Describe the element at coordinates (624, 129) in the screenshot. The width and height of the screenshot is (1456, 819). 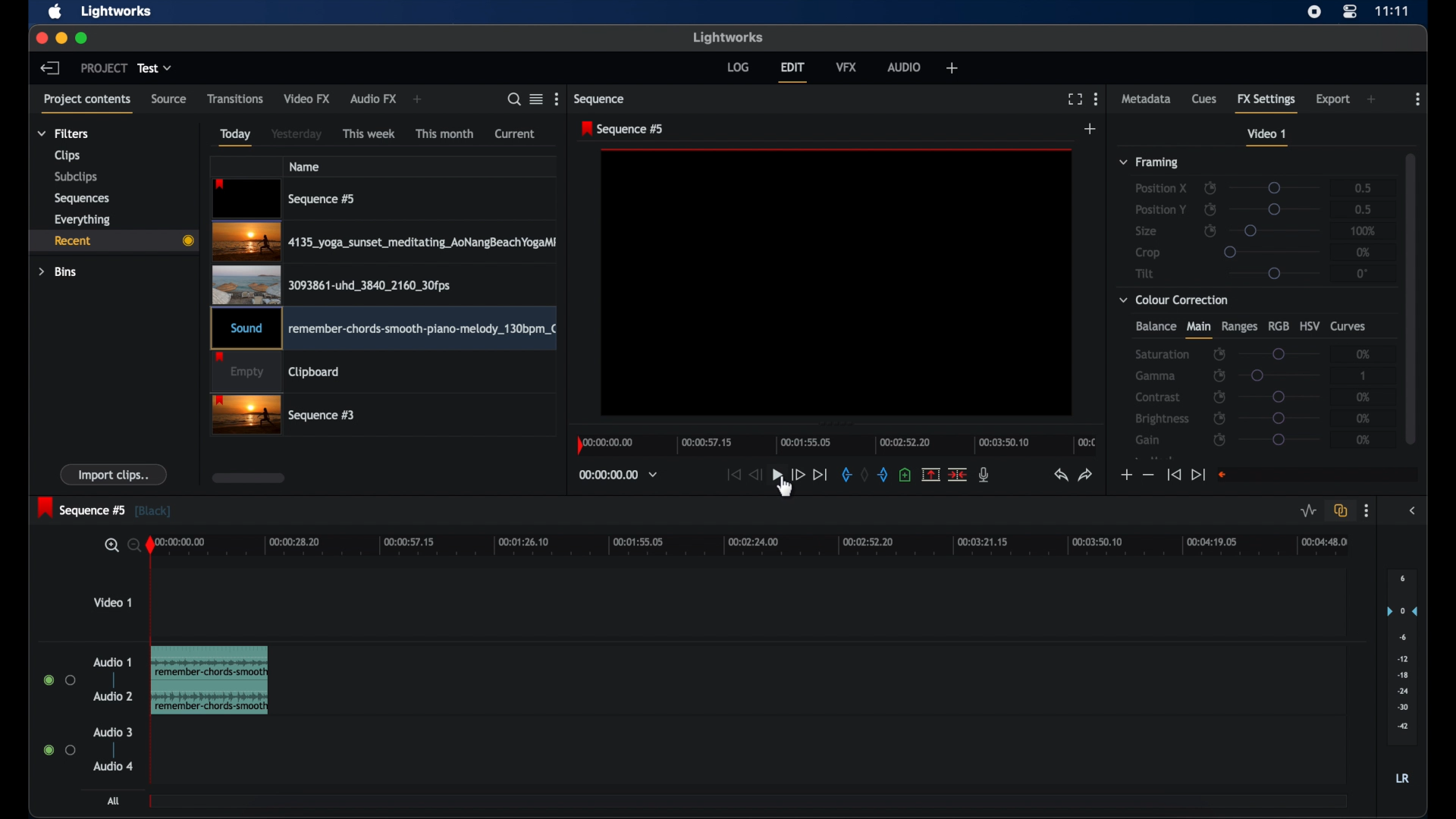
I see `sequence 5` at that location.